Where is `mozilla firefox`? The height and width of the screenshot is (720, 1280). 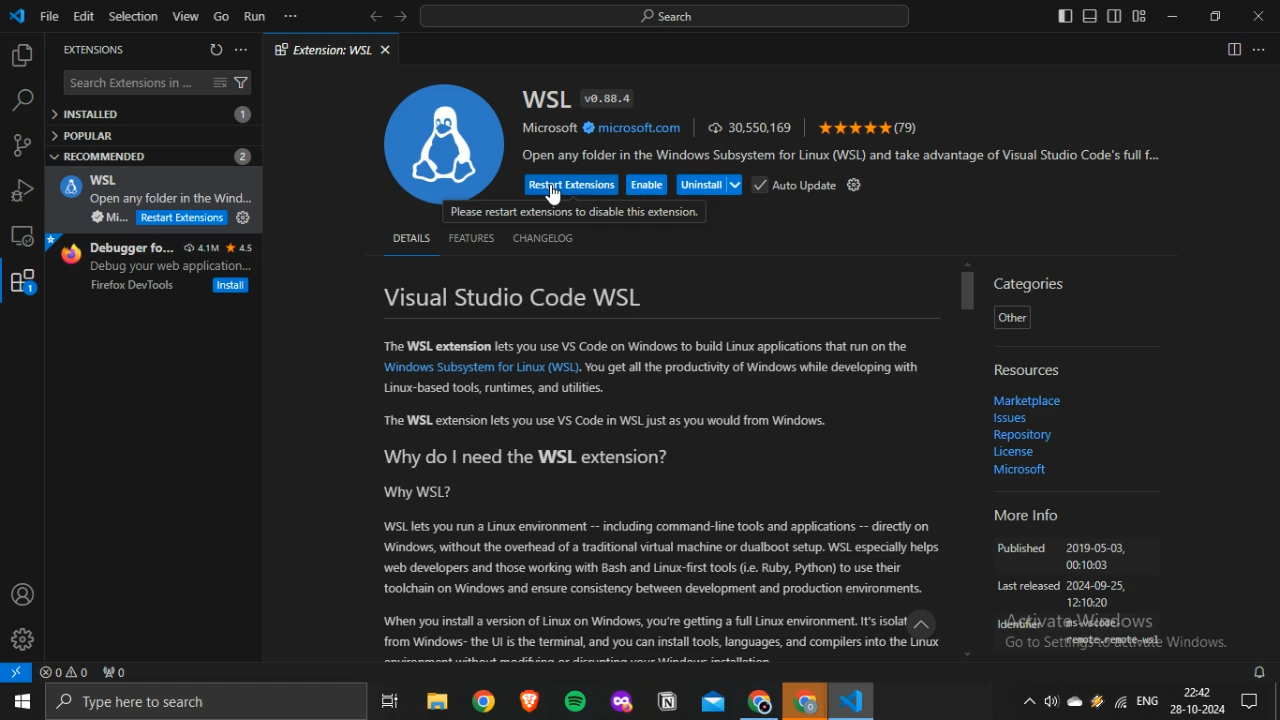 mozilla firefox is located at coordinates (622, 700).